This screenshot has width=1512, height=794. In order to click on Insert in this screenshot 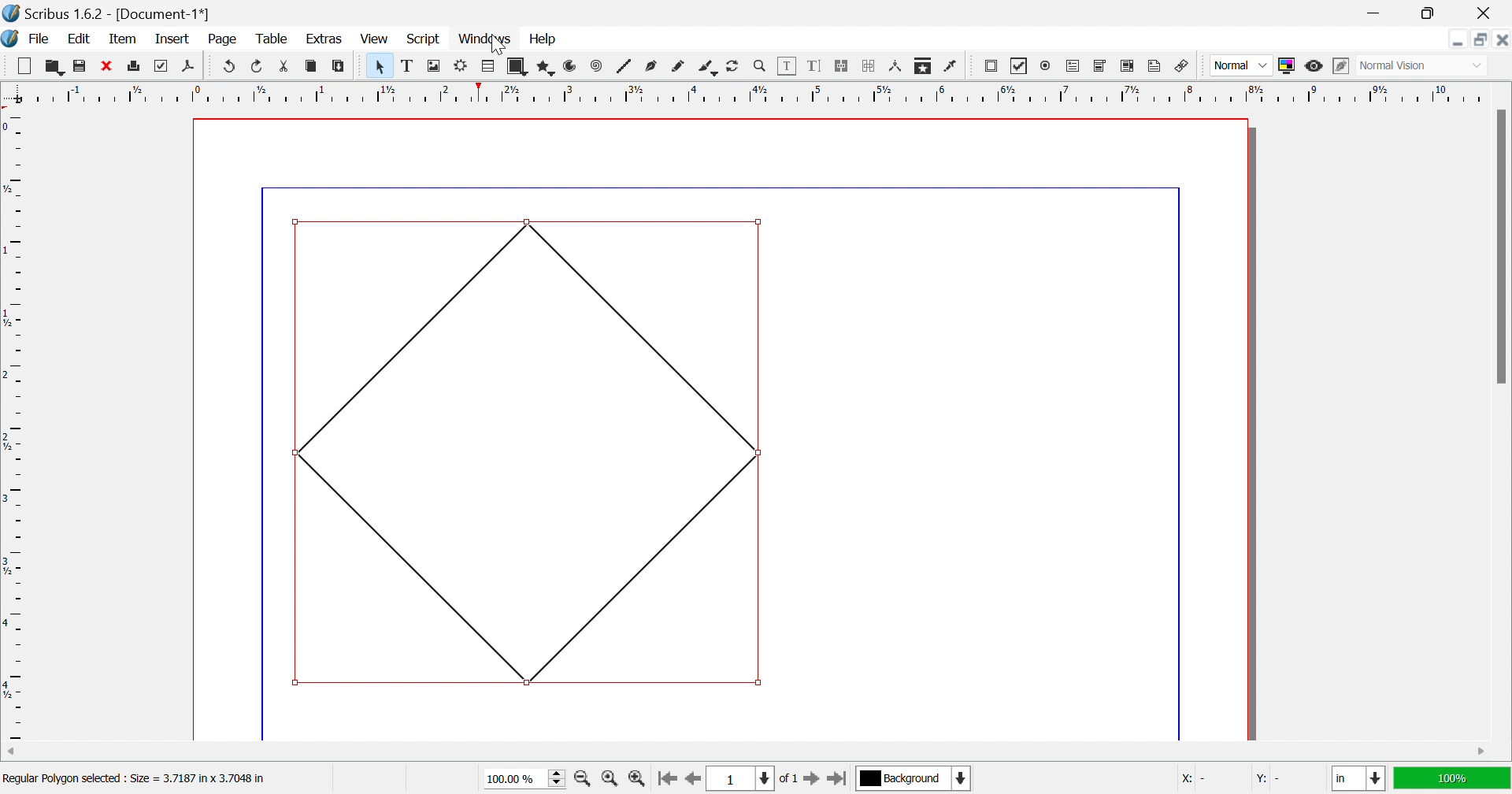, I will do `click(172, 38)`.